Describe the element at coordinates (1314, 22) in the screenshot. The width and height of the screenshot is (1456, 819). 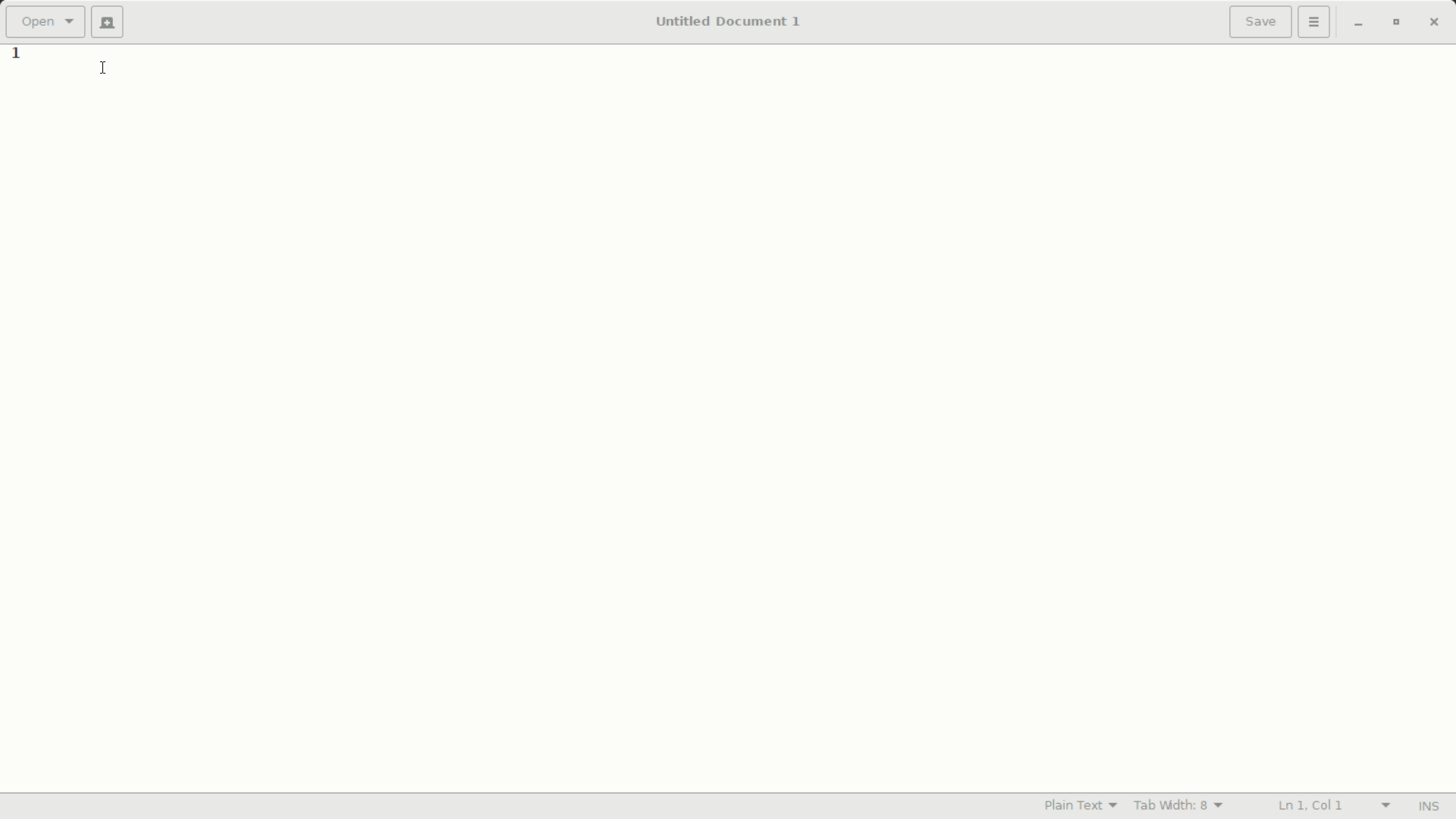
I see `more options` at that location.